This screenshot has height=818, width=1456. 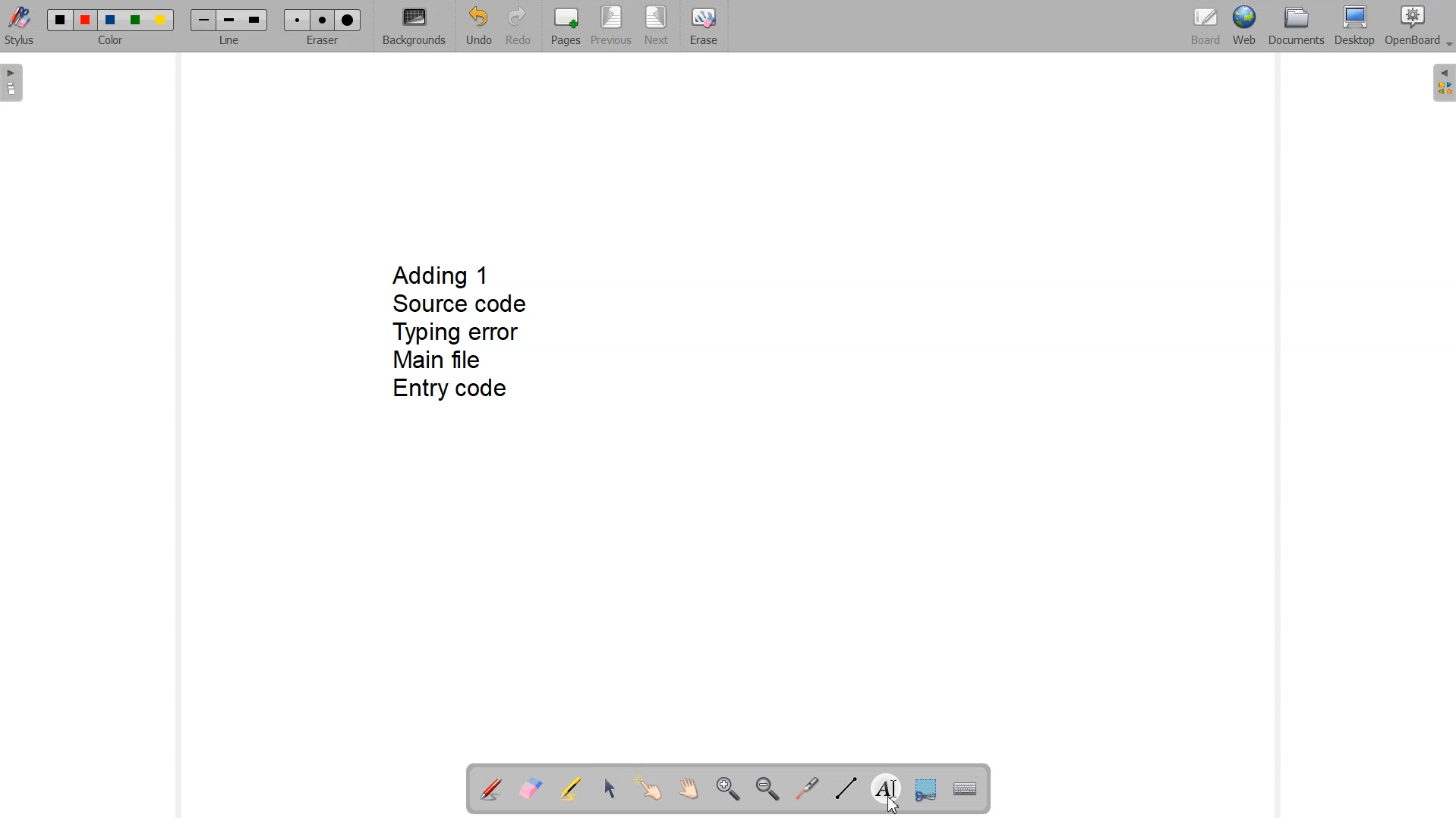 I want to click on Small eraser, so click(x=298, y=20).